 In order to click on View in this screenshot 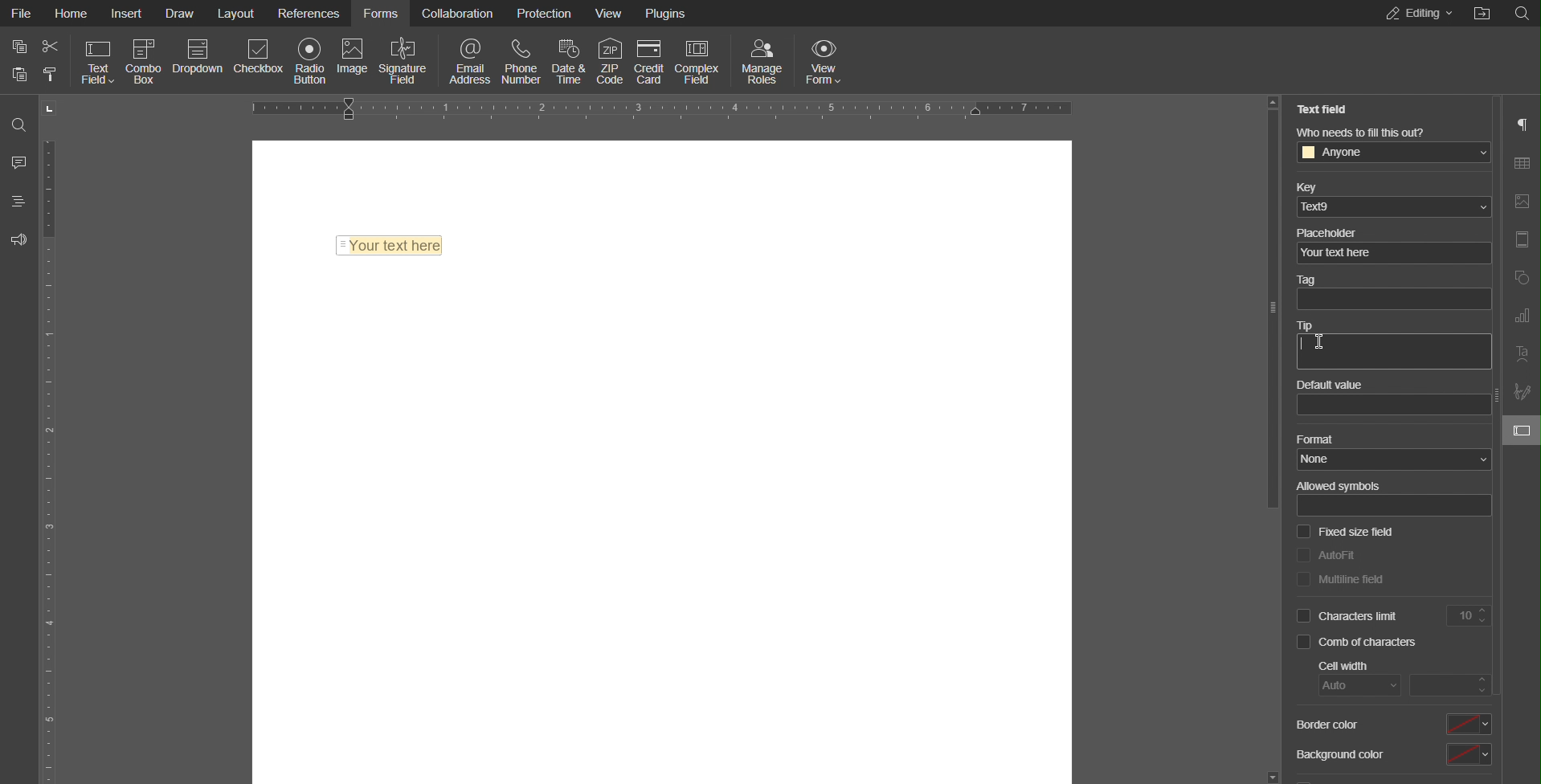, I will do `click(611, 12)`.